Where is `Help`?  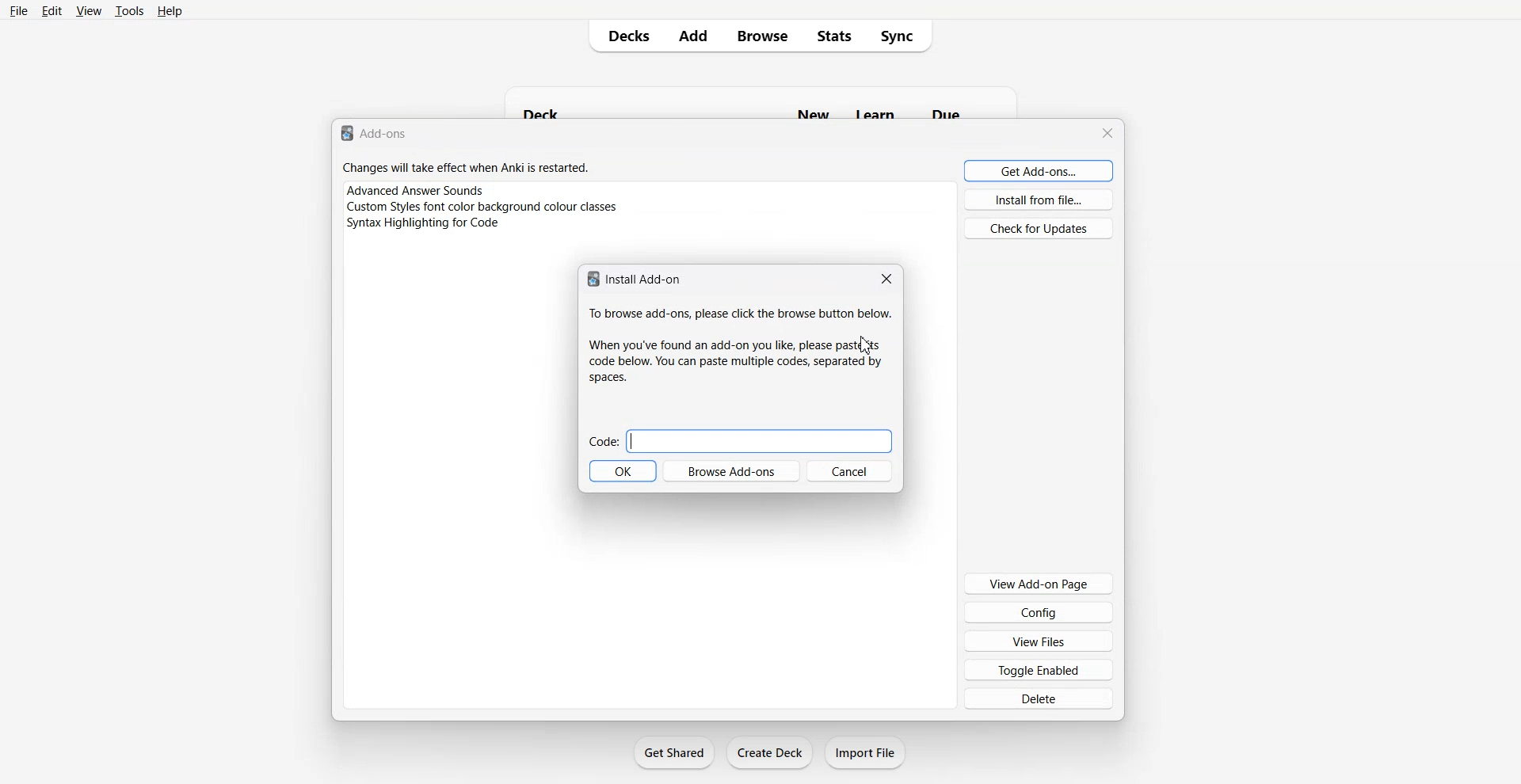 Help is located at coordinates (170, 10).